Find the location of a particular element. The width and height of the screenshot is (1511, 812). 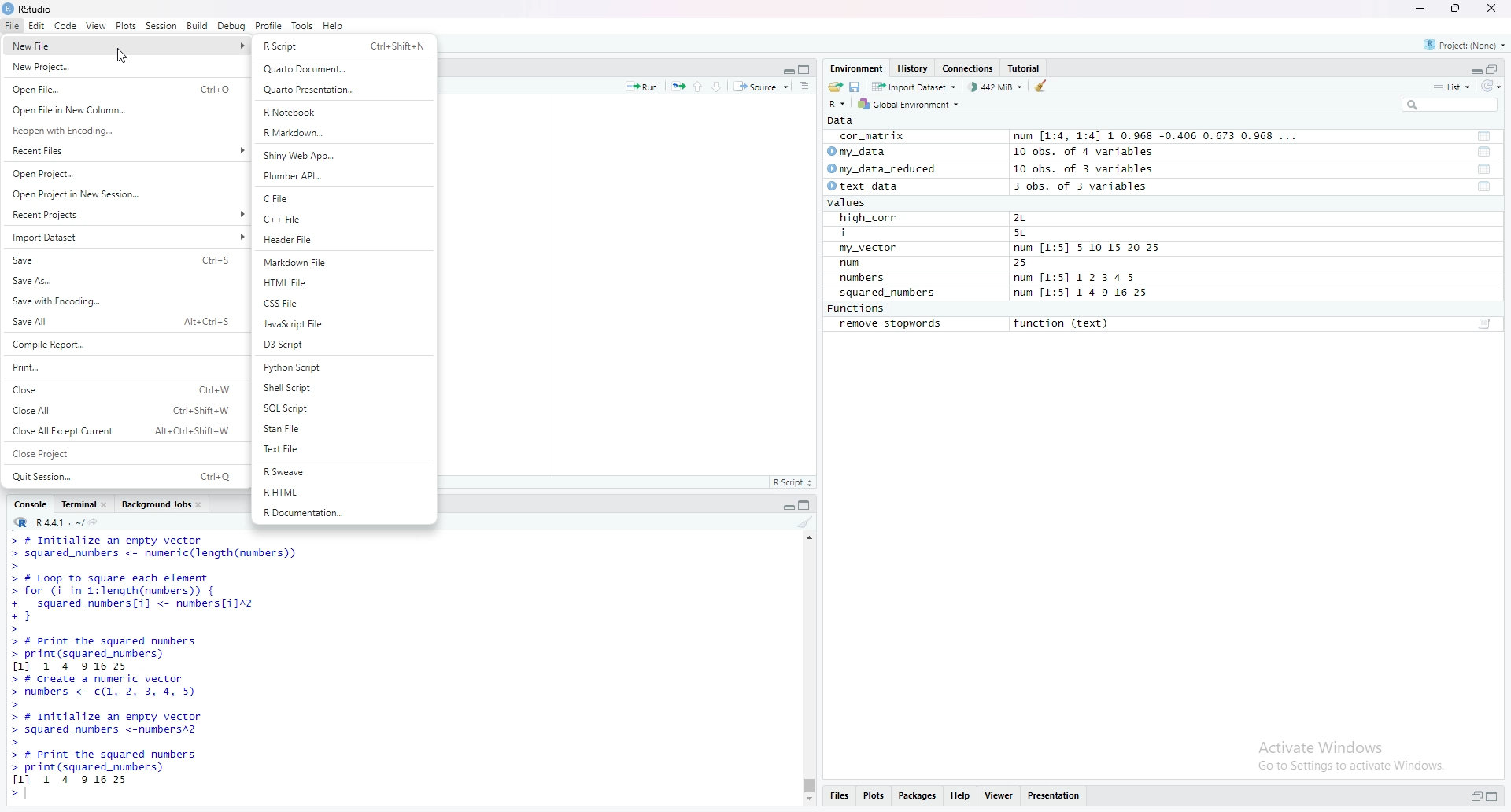

Connections is located at coordinates (970, 68).